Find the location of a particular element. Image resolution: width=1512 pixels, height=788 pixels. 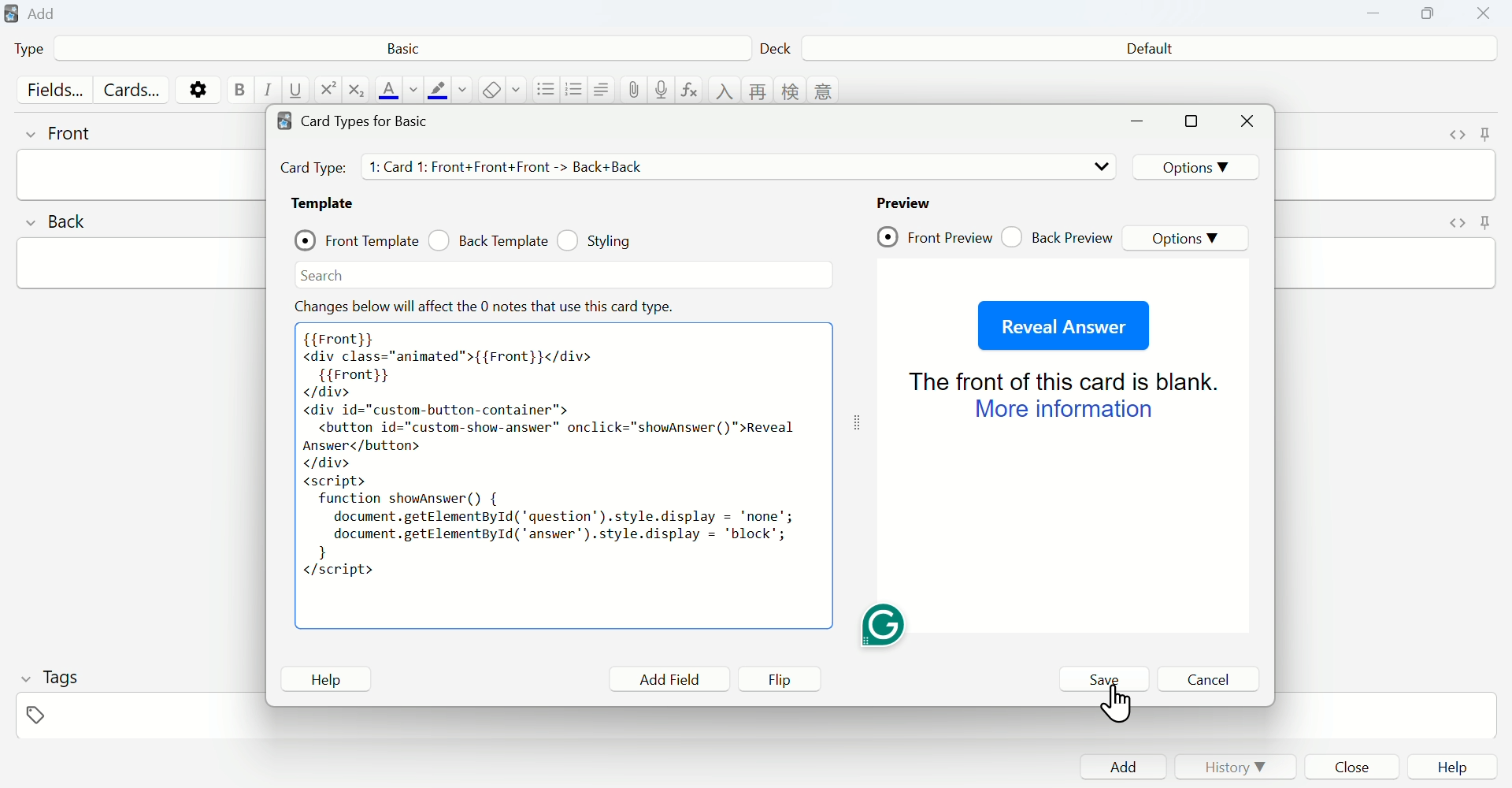

toggle HTML editor is located at coordinates (1458, 134).